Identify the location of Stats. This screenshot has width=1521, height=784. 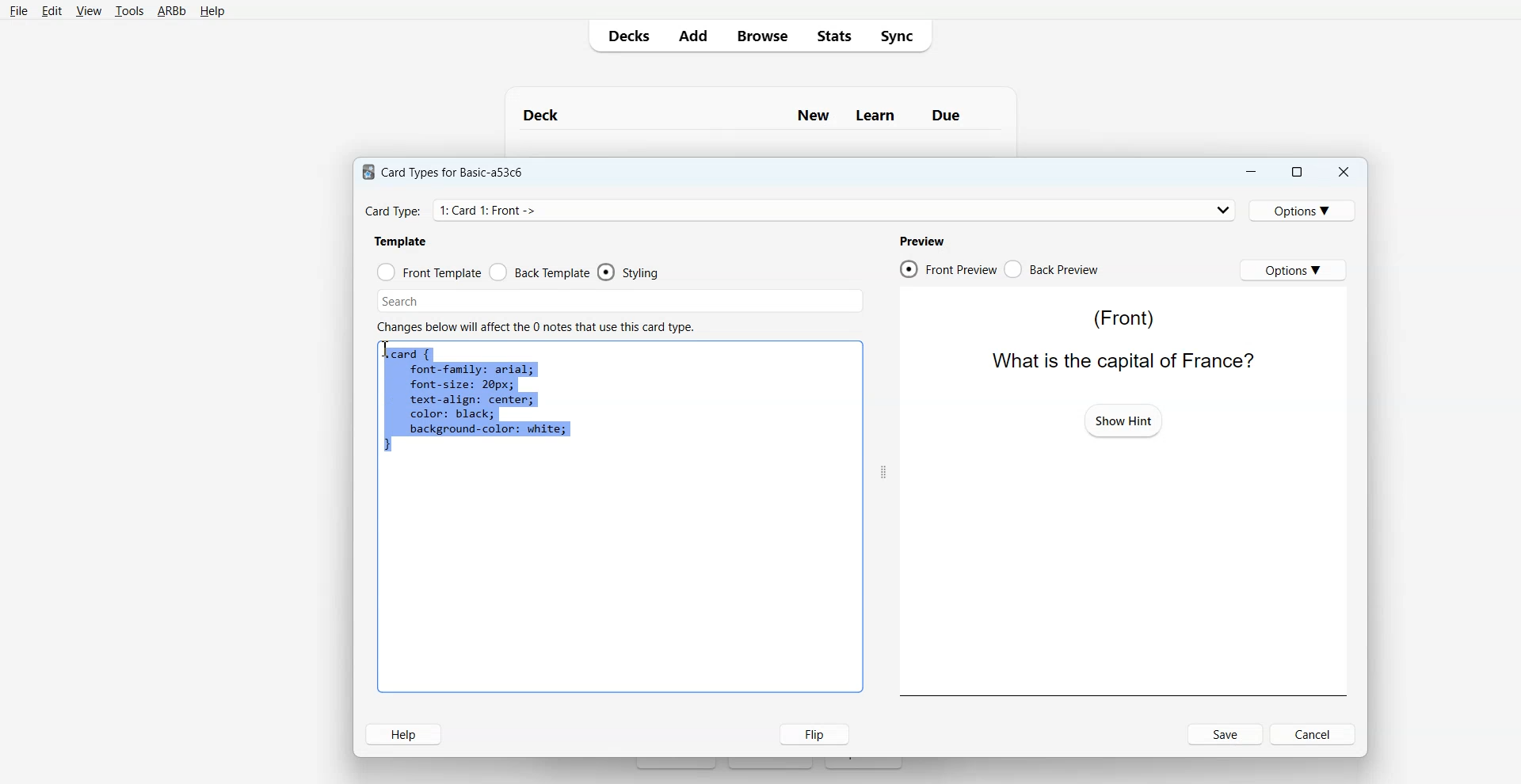
(833, 35).